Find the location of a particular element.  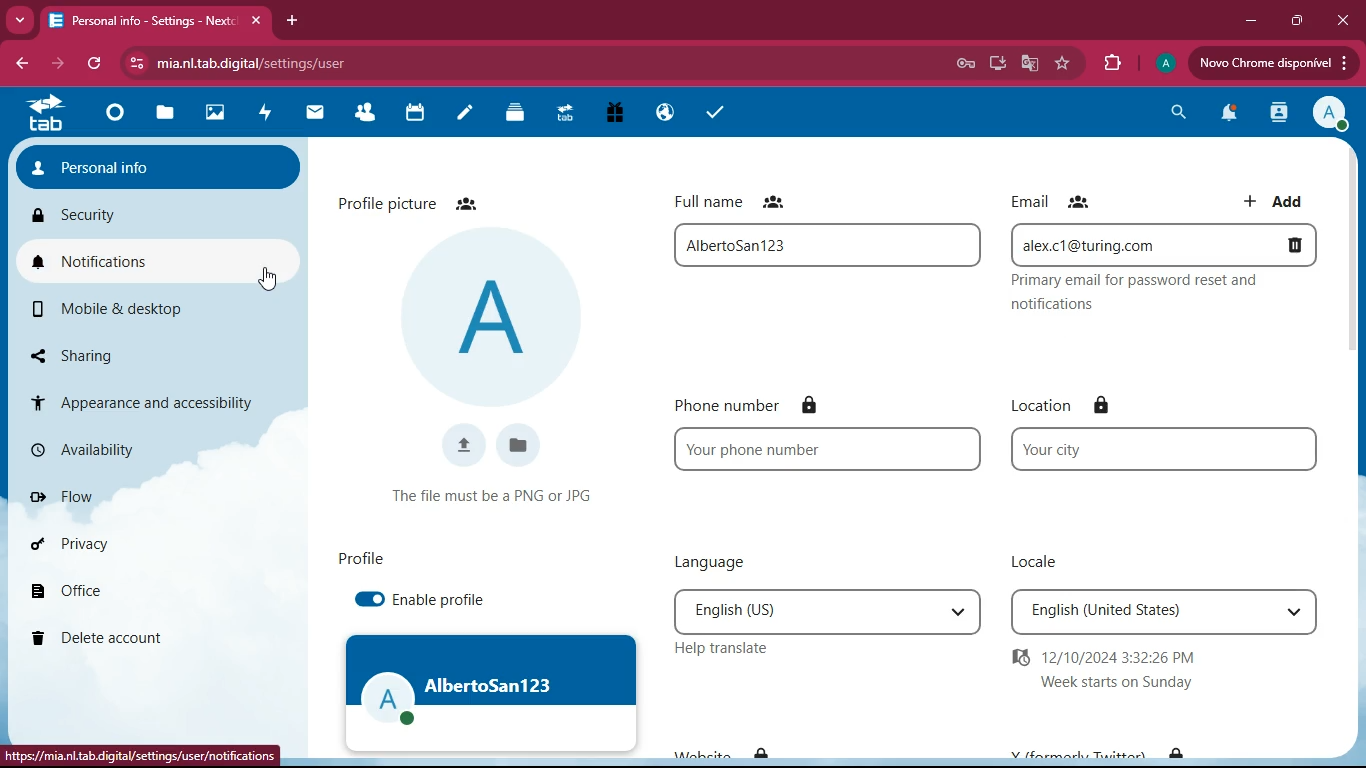

flow is located at coordinates (143, 498).